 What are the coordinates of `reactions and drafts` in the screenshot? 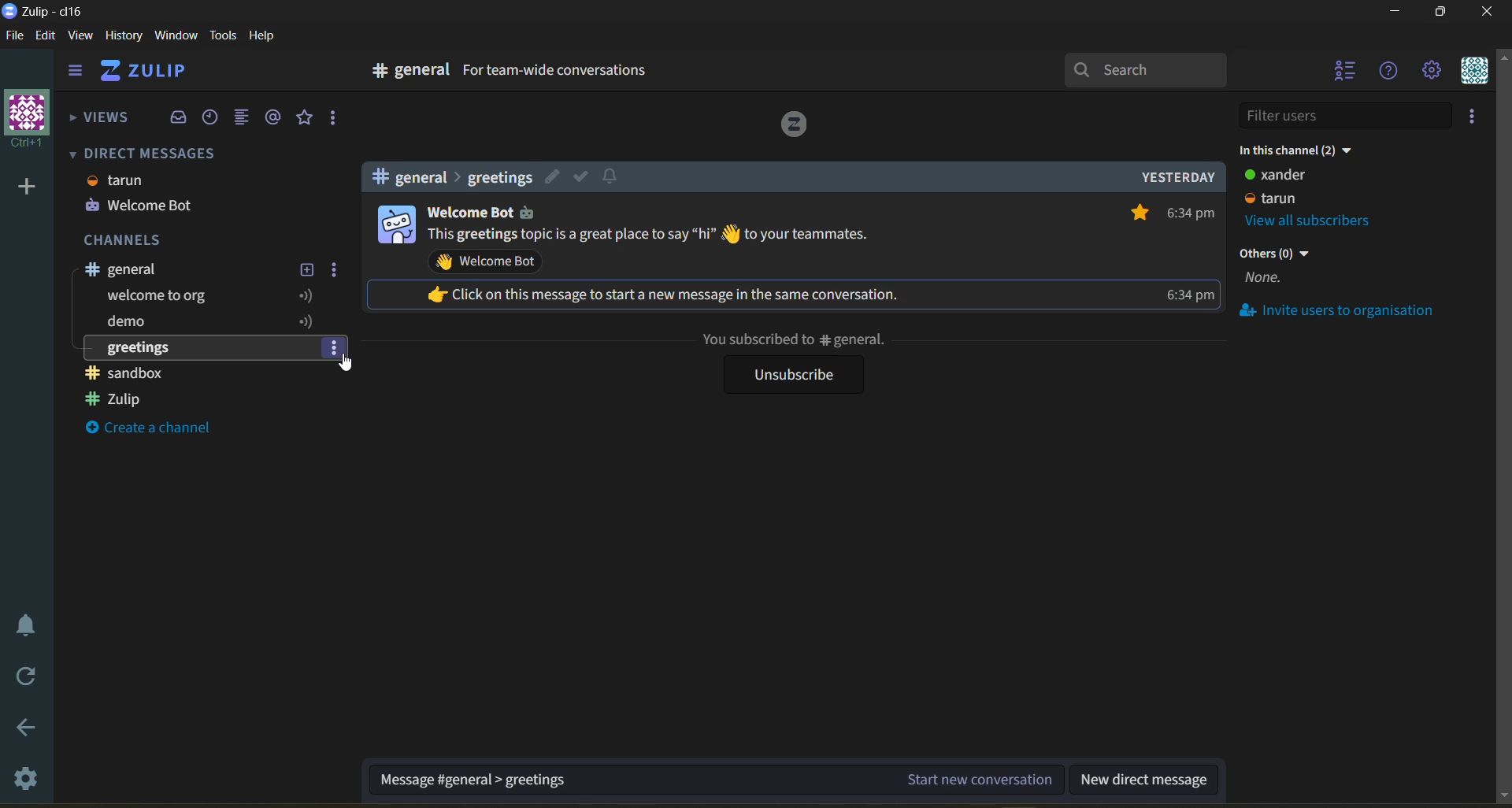 It's located at (333, 119).